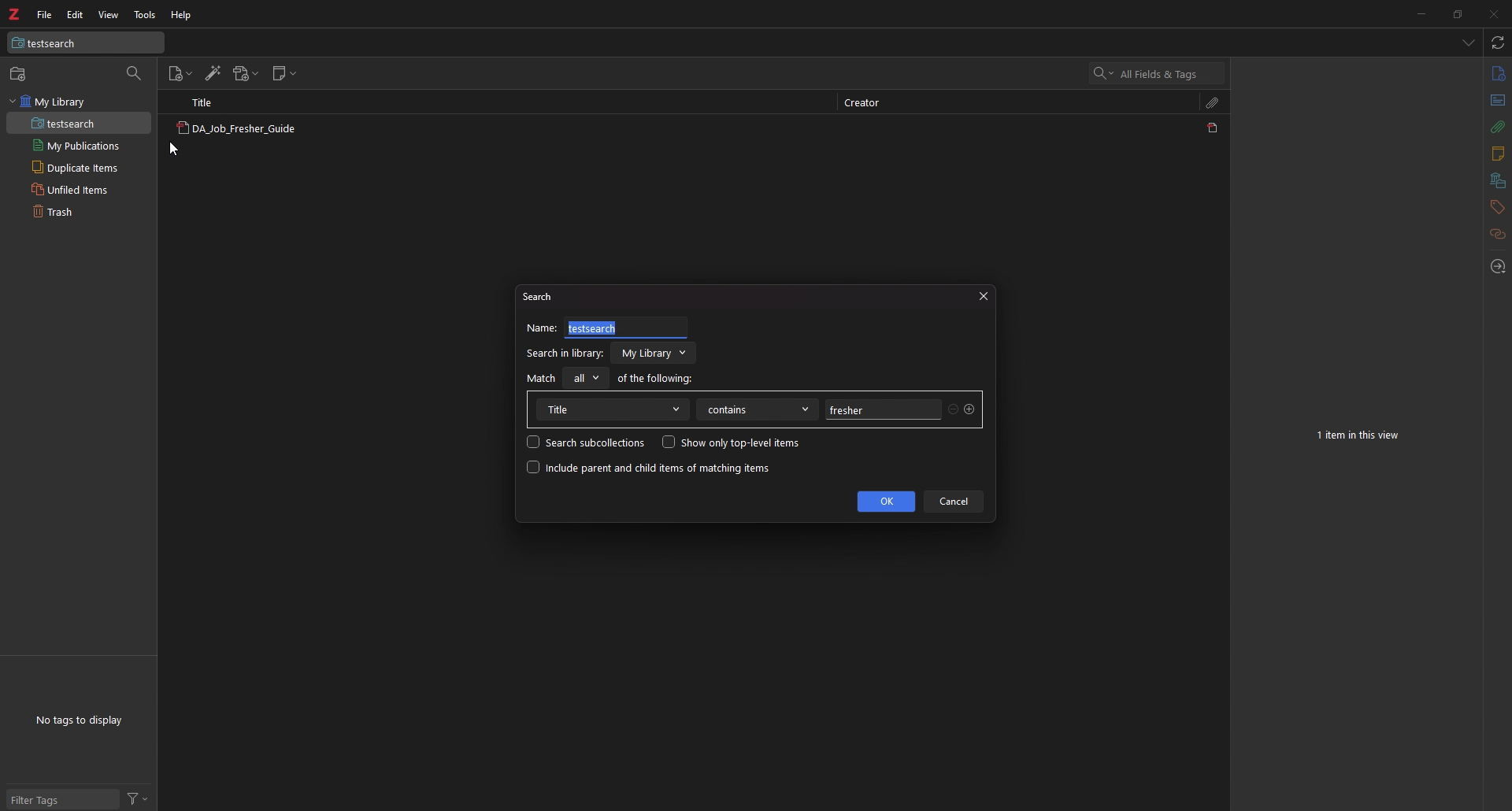  What do you see at coordinates (1496, 154) in the screenshot?
I see `note` at bounding box center [1496, 154].